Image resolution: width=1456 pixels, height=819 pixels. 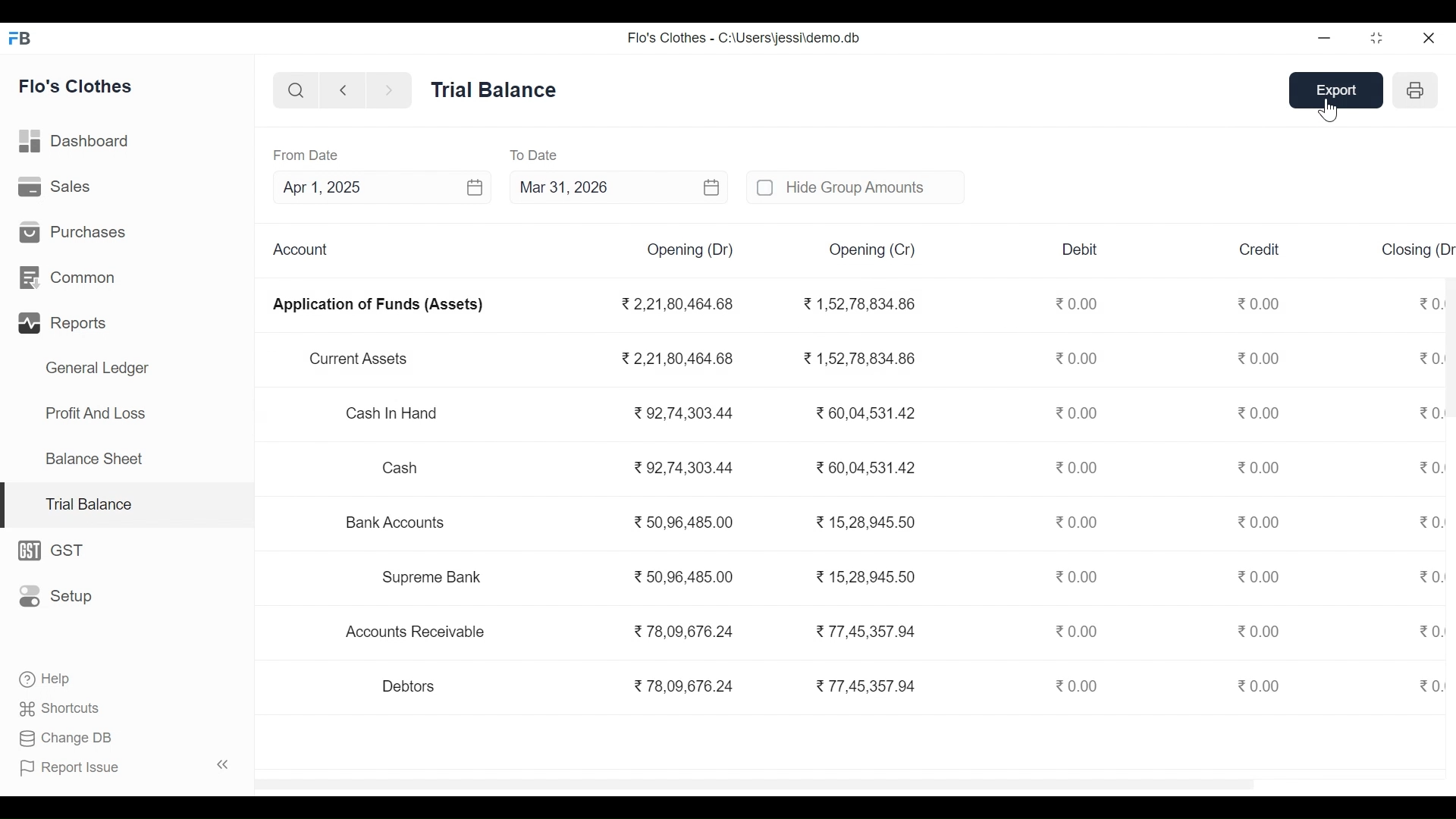 I want to click on Frappe Books Desktop icon, so click(x=21, y=39).